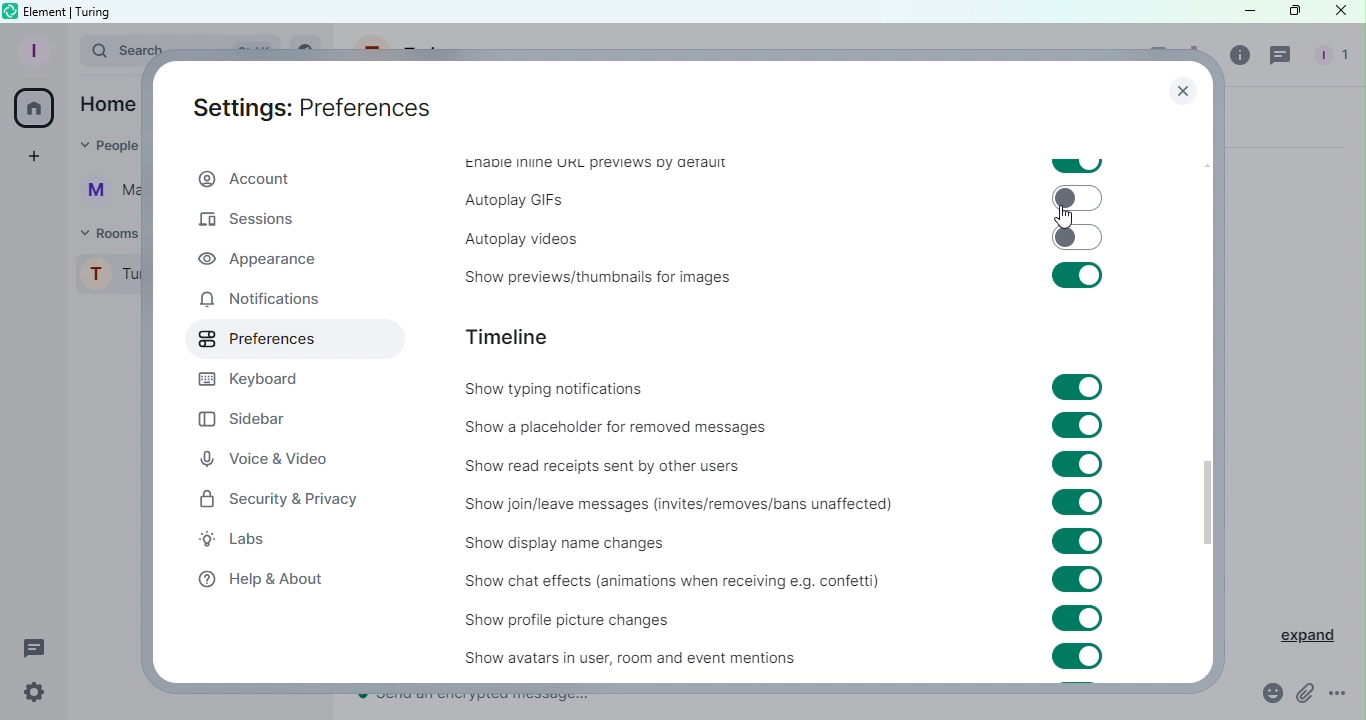 Image resolution: width=1366 pixels, height=720 pixels. Describe the element at coordinates (675, 504) in the screenshot. I see `Show join/leave messages (invites/removes/bans unaffected))` at that location.